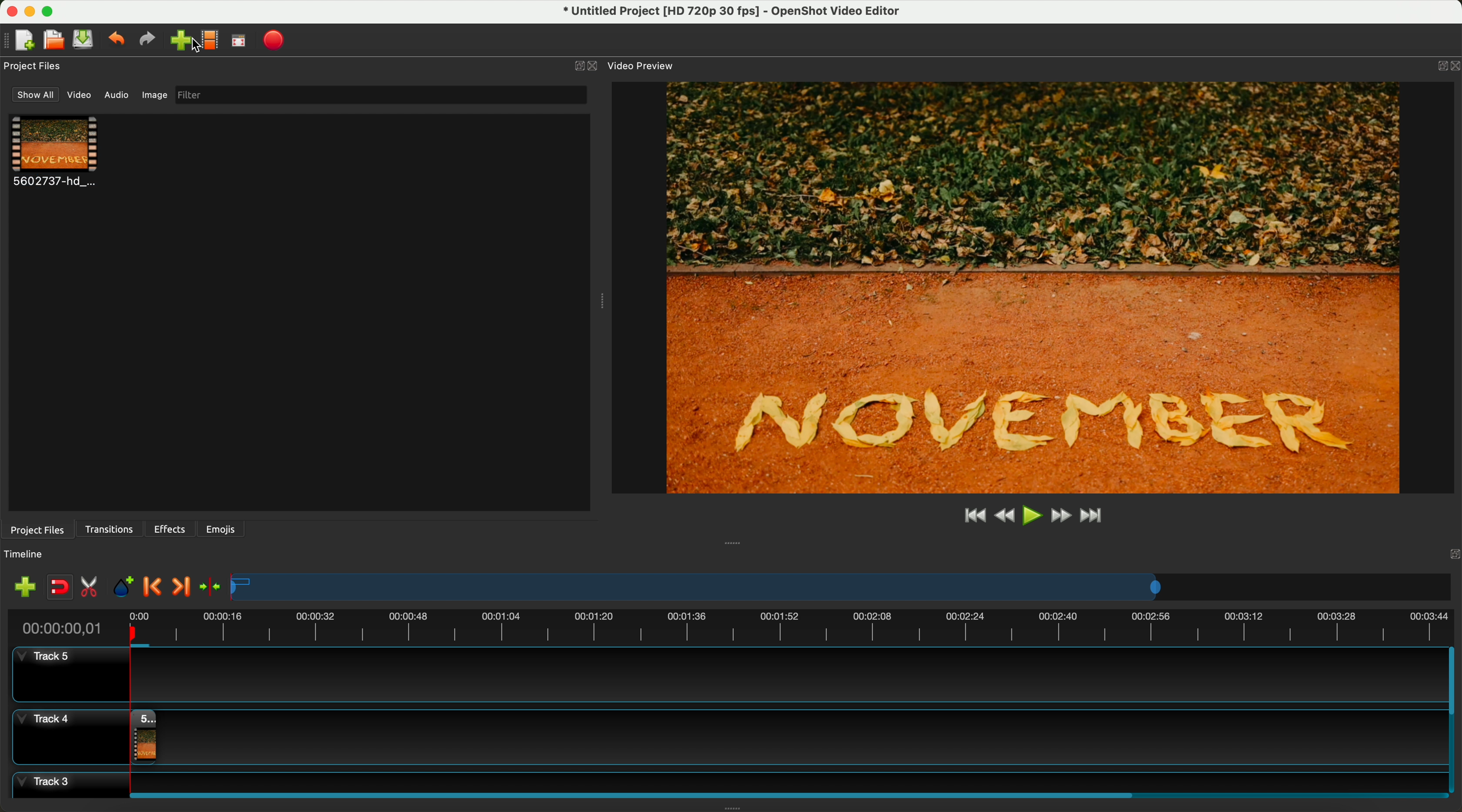 This screenshot has width=1462, height=812. What do you see at coordinates (118, 41) in the screenshot?
I see `undo` at bounding box center [118, 41].